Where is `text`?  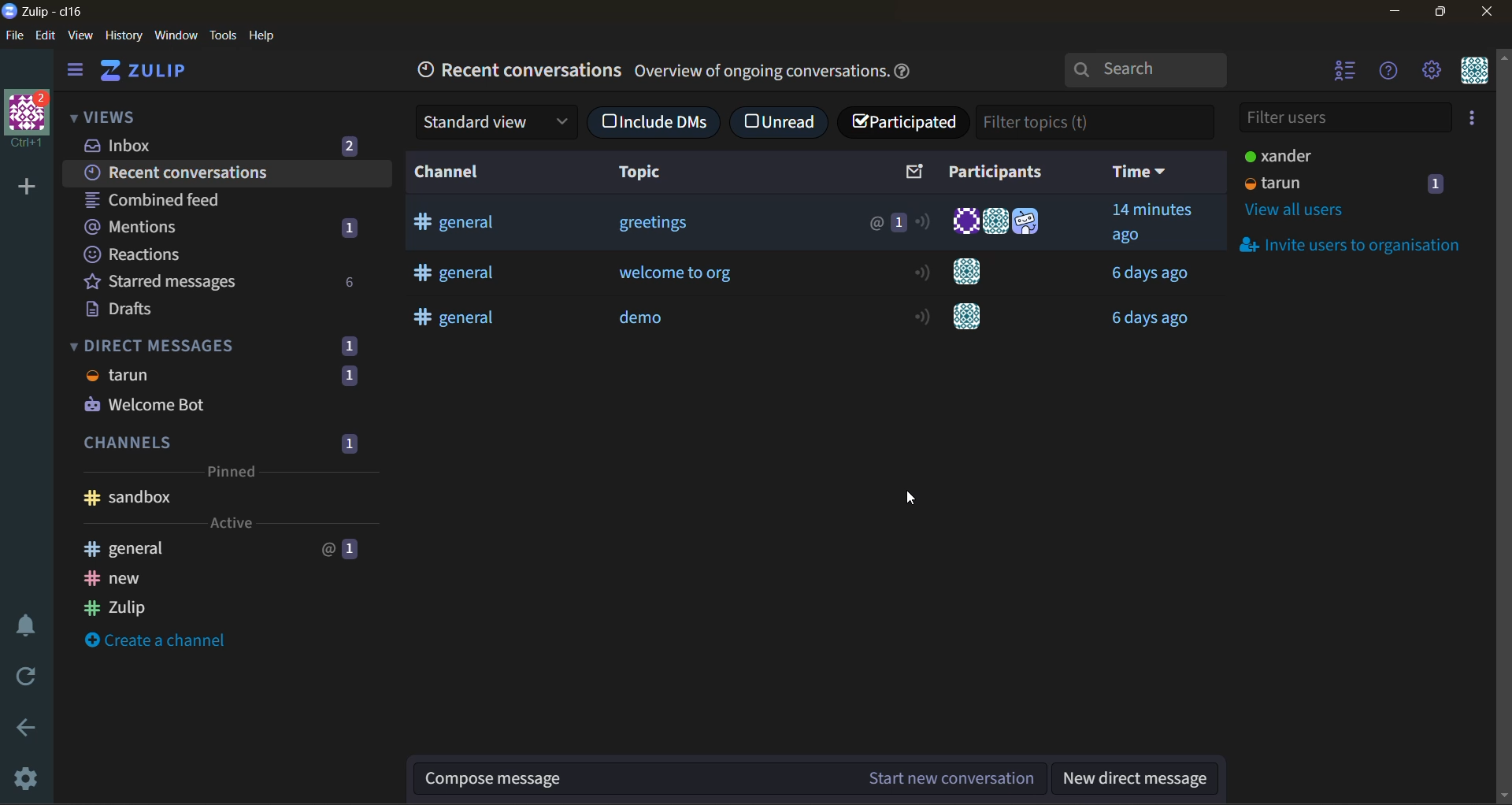
text is located at coordinates (759, 72).